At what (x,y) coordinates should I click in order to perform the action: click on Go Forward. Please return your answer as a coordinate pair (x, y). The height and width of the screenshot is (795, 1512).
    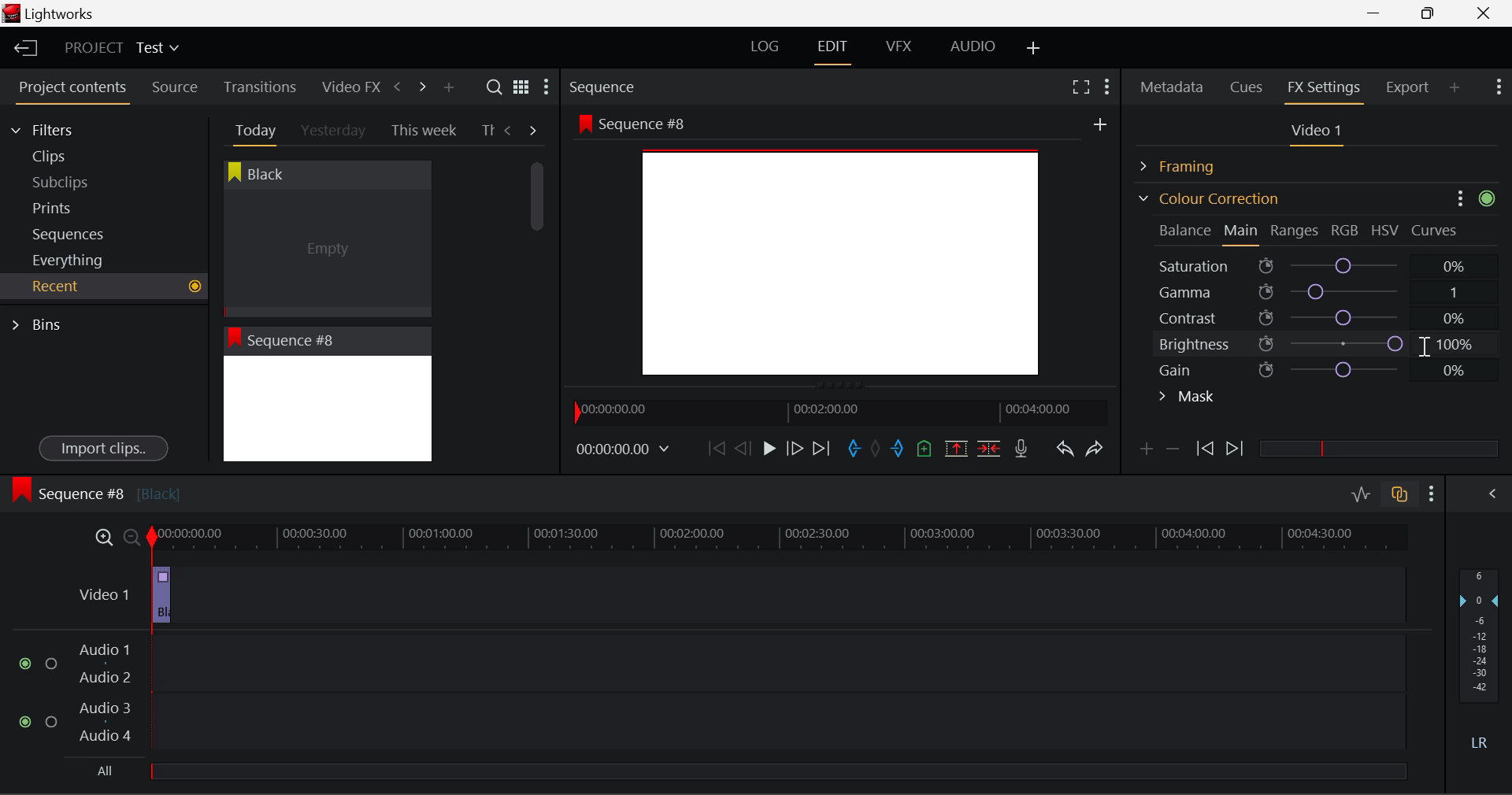
    Looking at the image, I should click on (795, 448).